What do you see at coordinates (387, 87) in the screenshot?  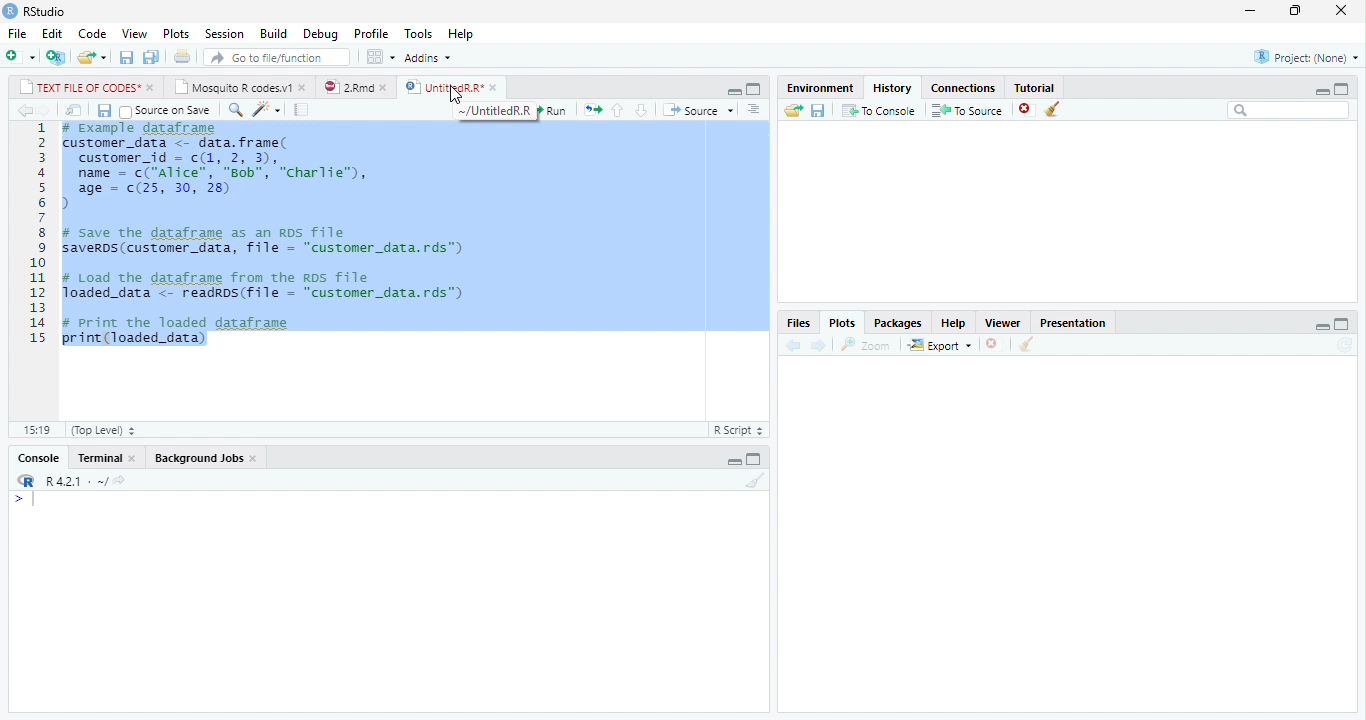 I see `close` at bounding box center [387, 87].